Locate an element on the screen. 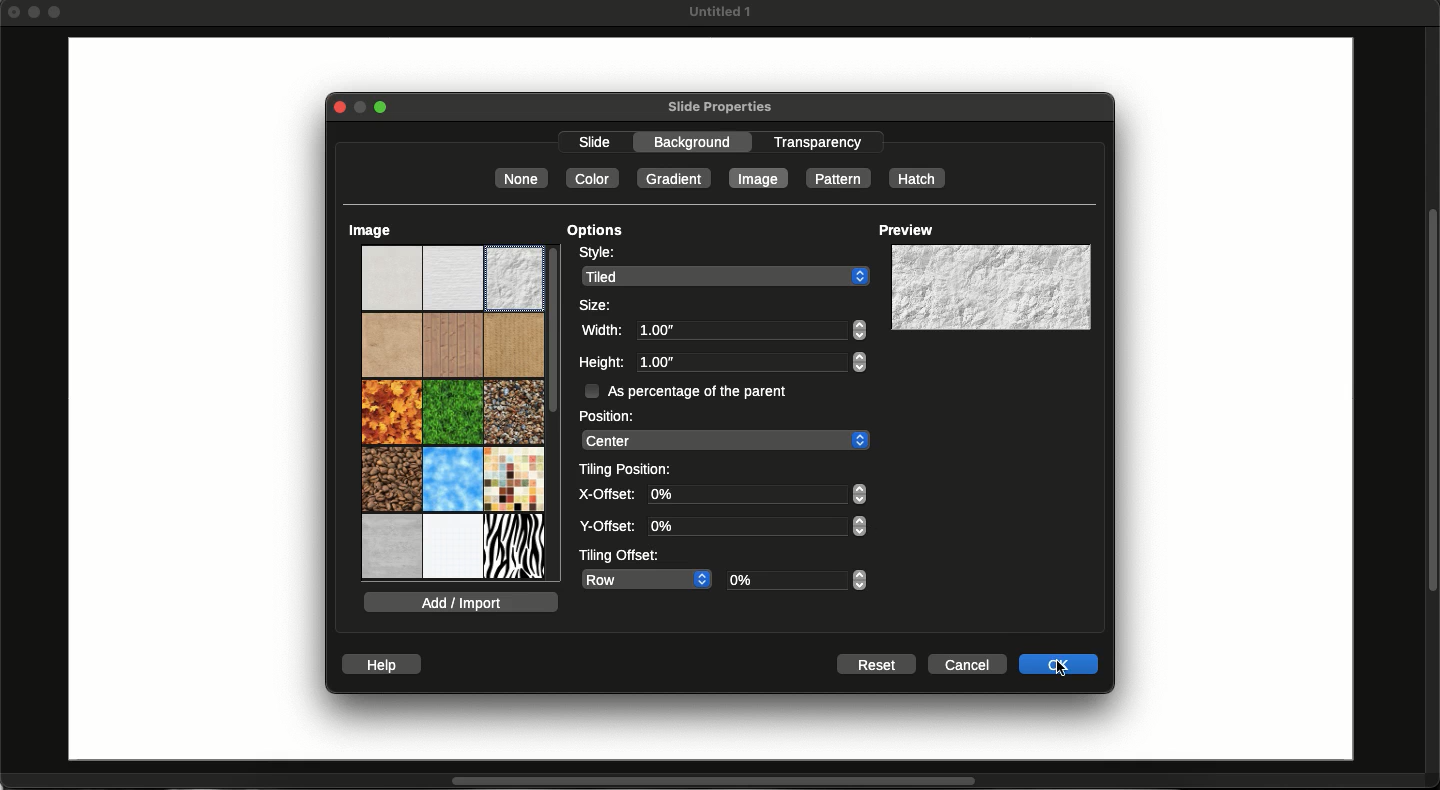 This screenshot has width=1440, height=790. Images is located at coordinates (453, 414).